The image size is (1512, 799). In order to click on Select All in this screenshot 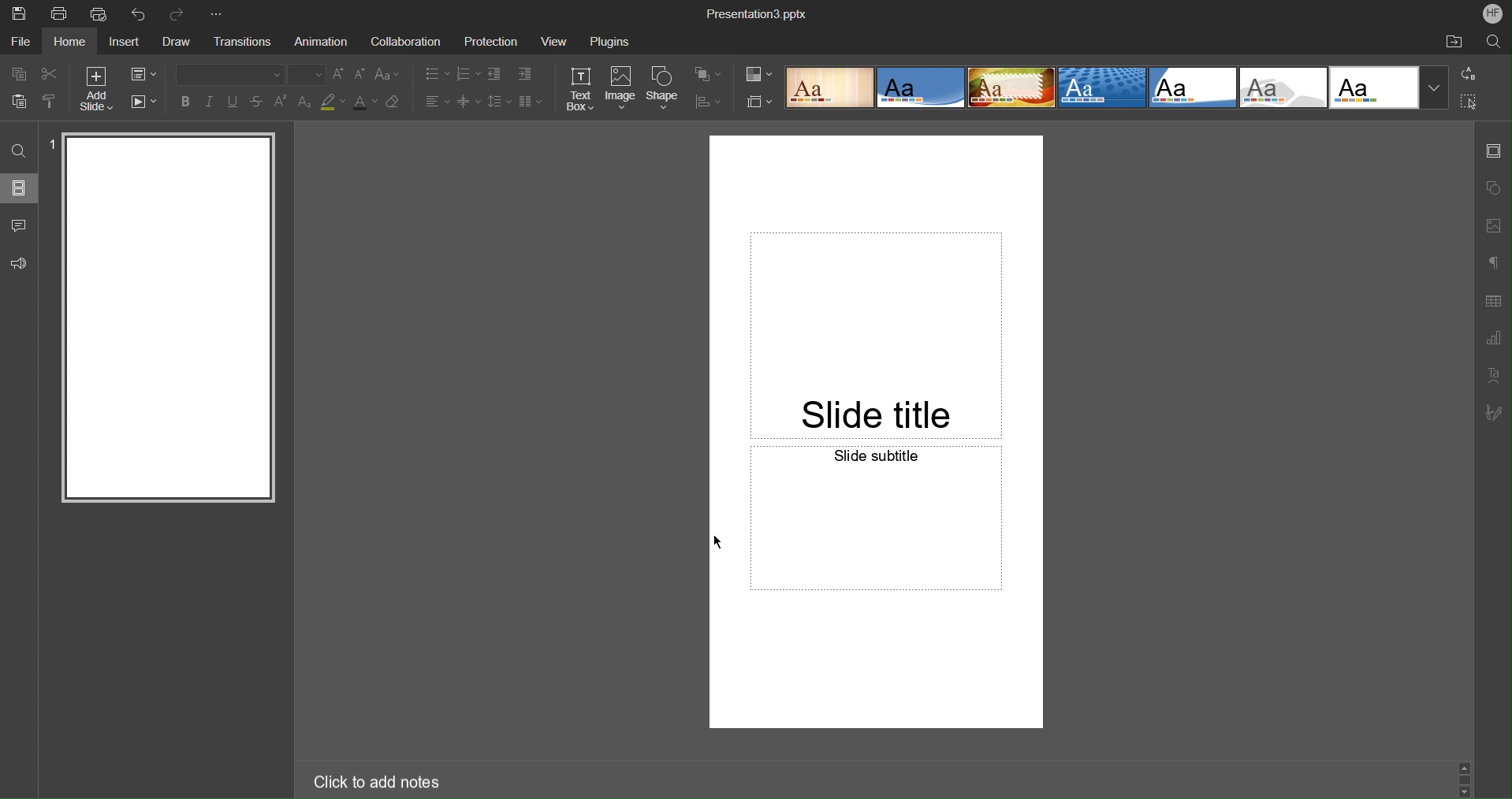, I will do `click(1470, 102)`.